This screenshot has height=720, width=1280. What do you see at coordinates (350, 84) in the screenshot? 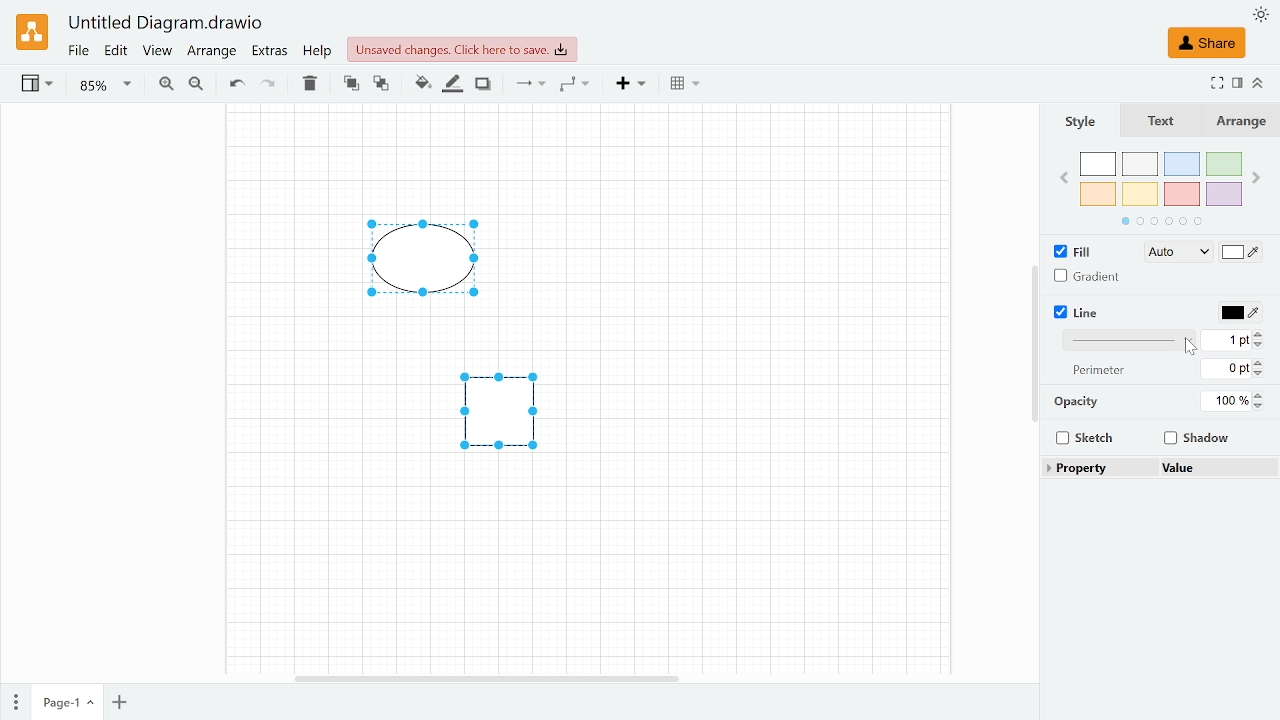
I see `TO front` at bounding box center [350, 84].